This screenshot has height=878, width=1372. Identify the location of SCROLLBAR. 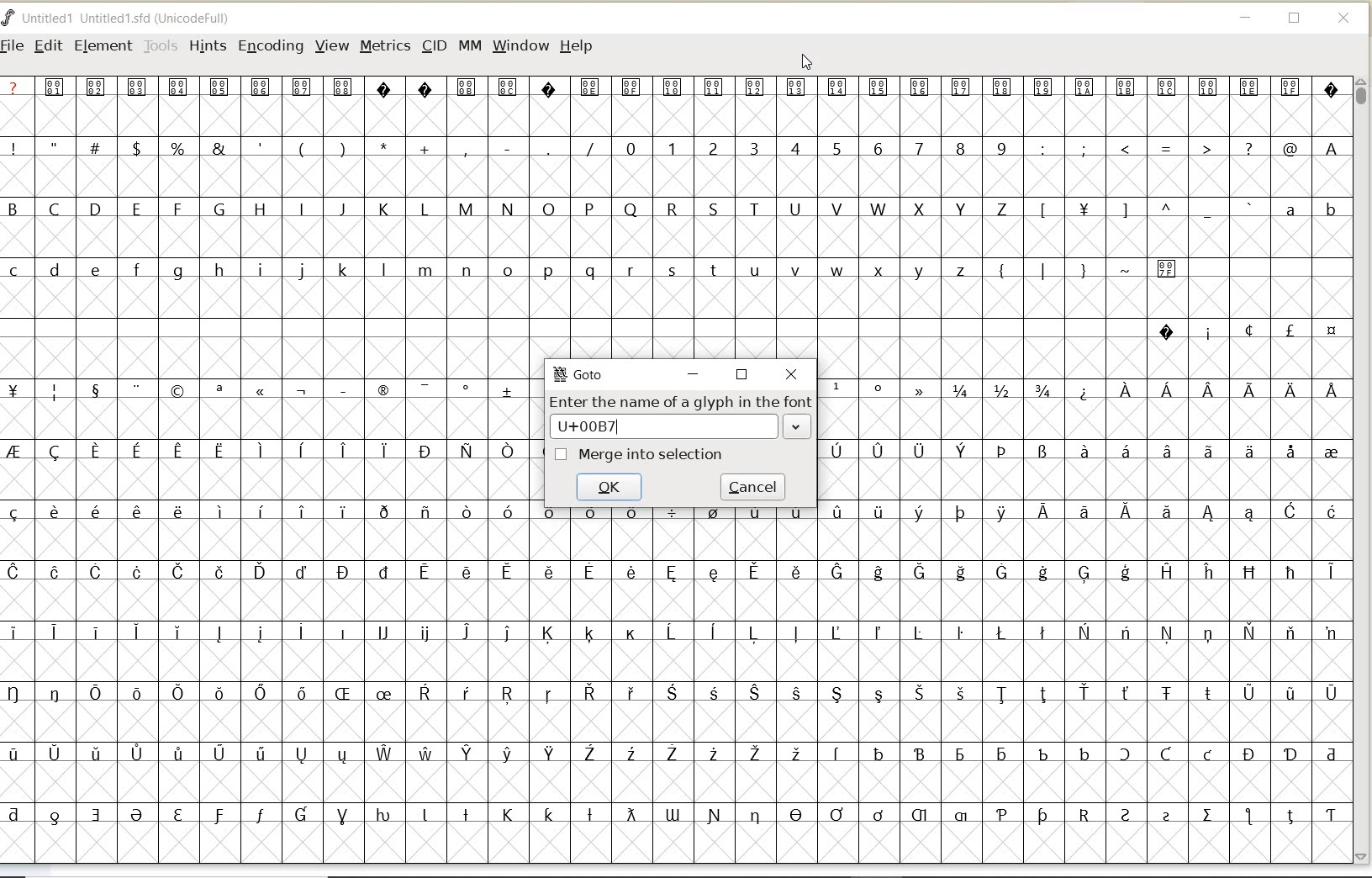
(1364, 470).